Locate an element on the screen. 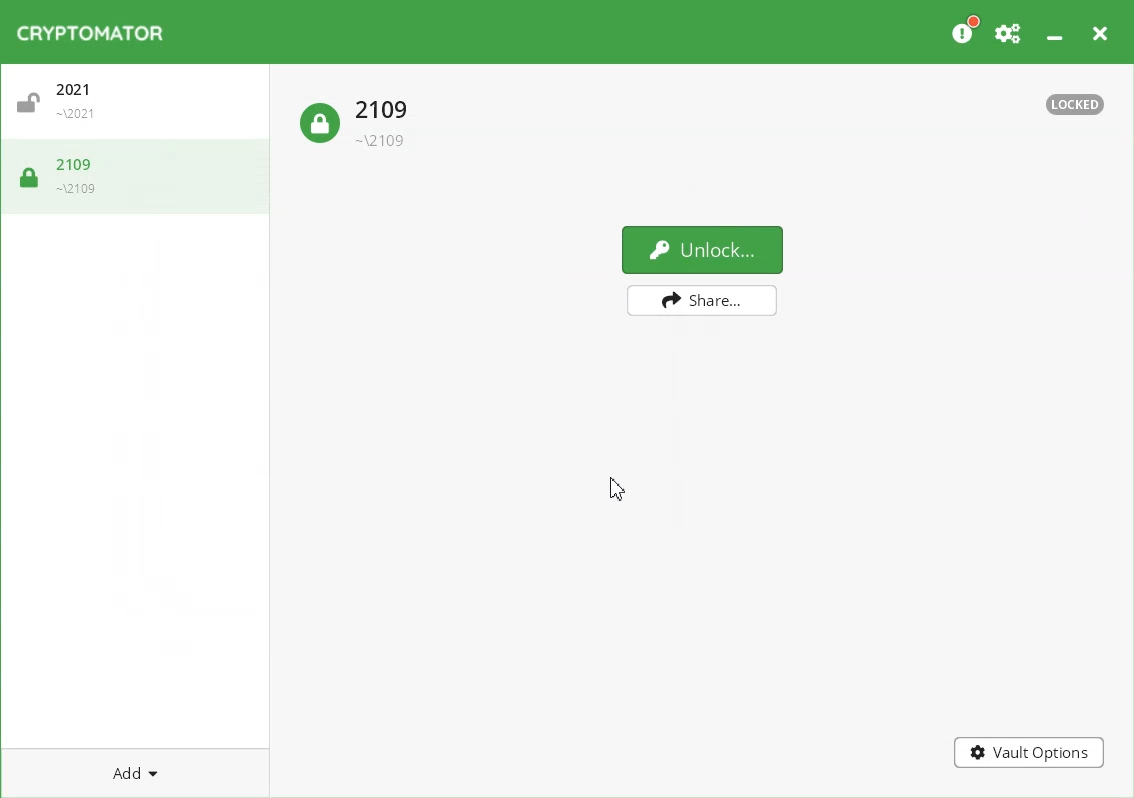 The width and height of the screenshot is (1134, 798). Cursor is located at coordinates (615, 490).